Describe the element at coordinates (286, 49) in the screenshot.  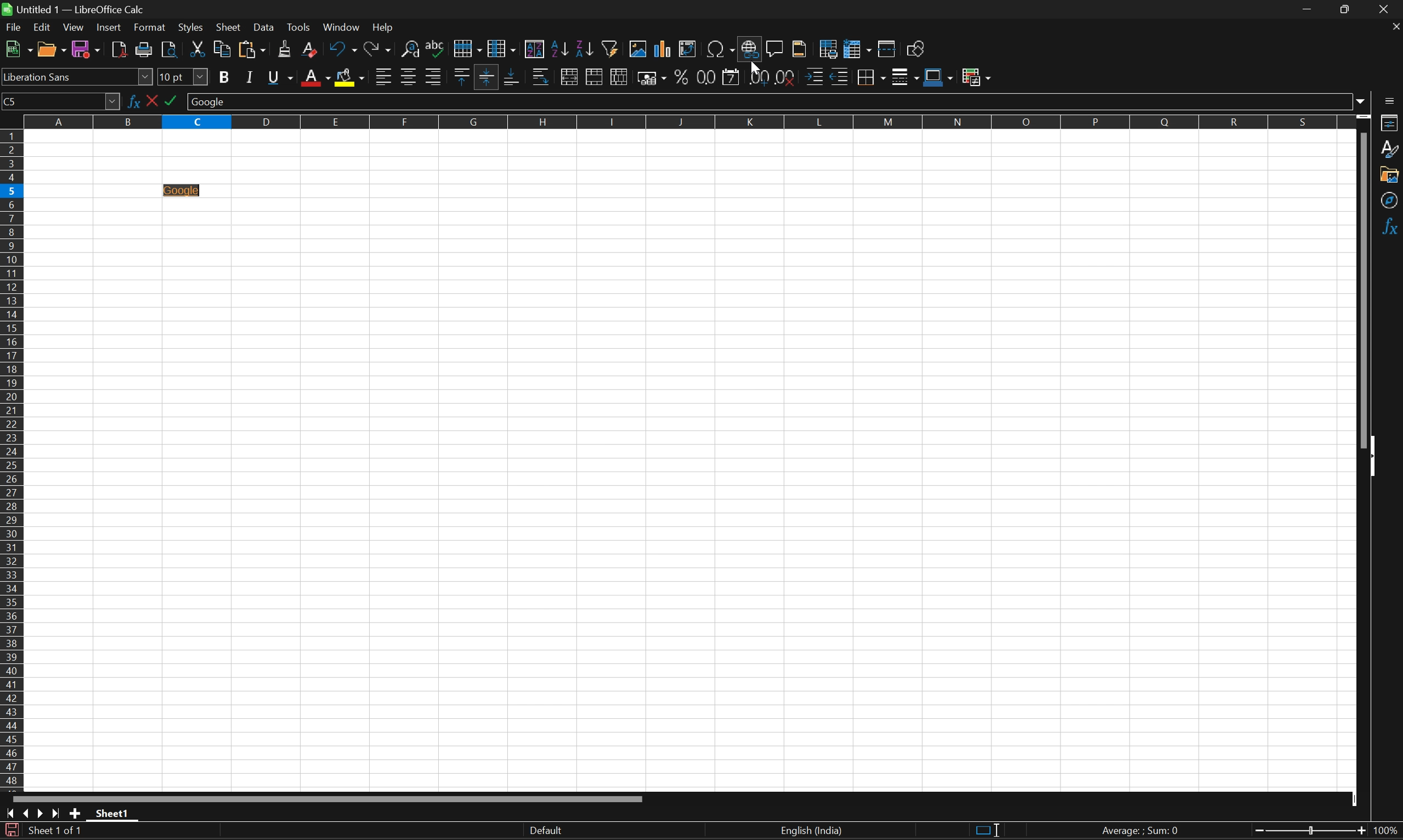
I see `Clone formatting` at that location.